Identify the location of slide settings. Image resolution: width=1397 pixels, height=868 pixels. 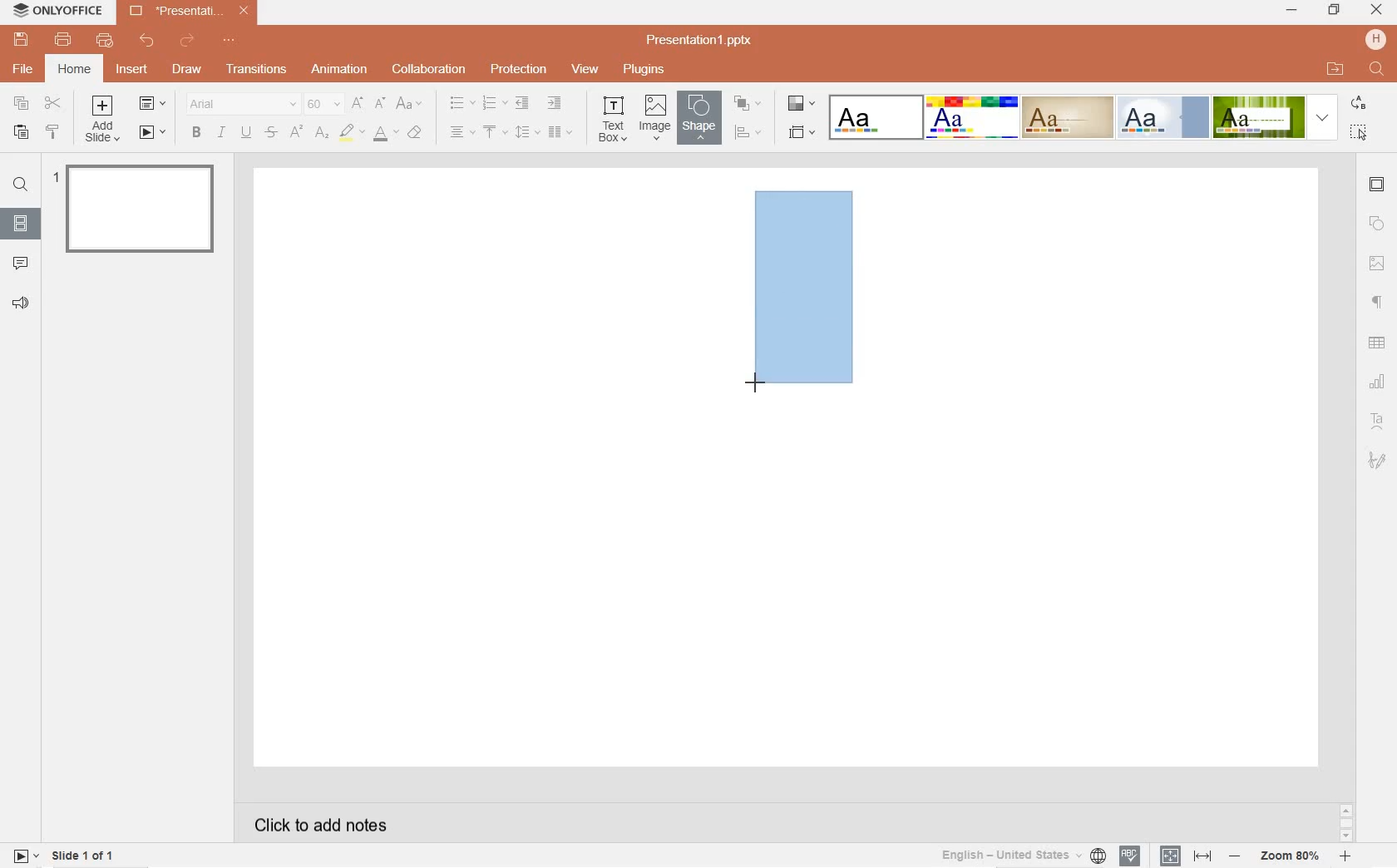
(1378, 186).